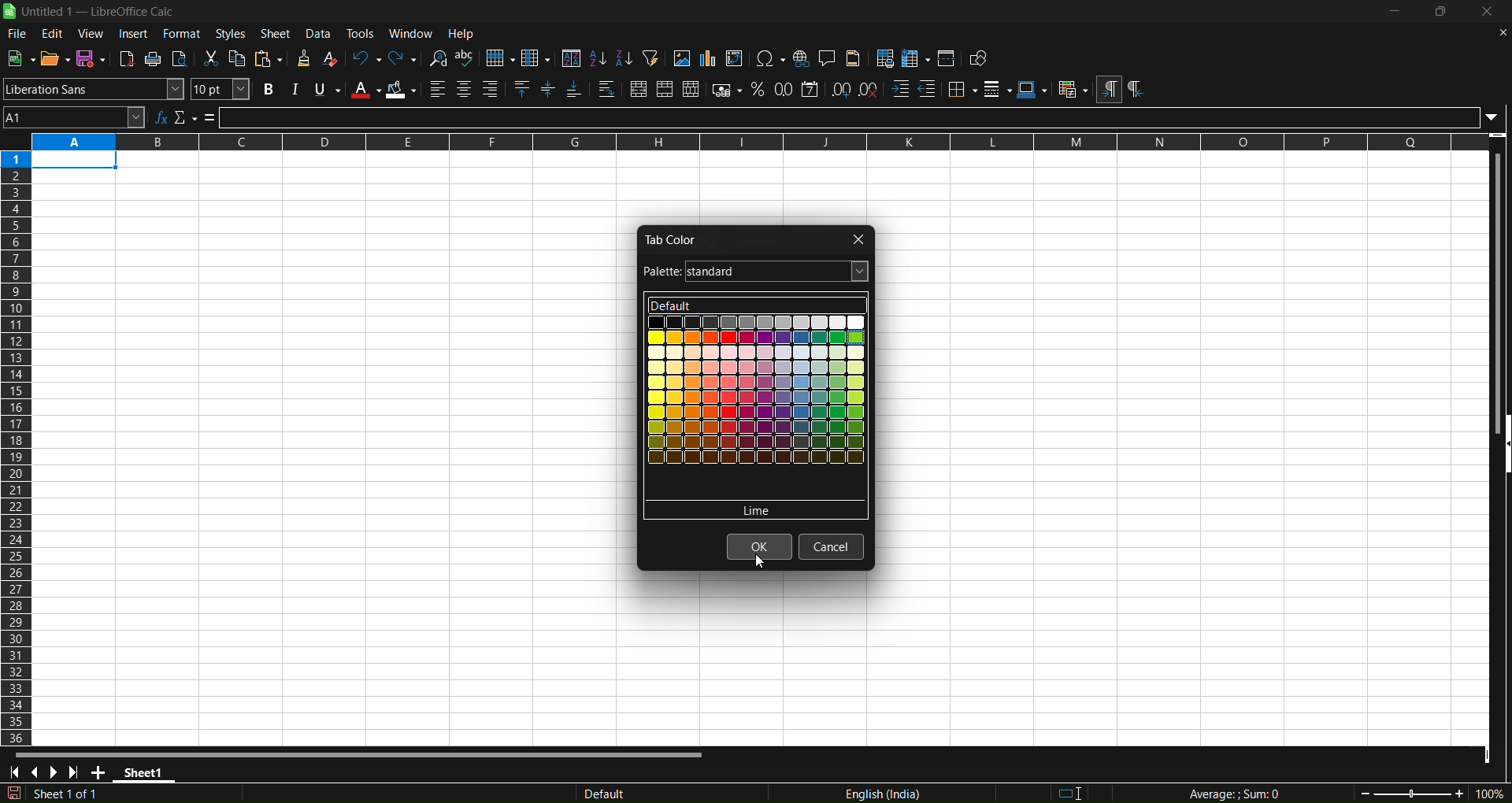 Image resolution: width=1512 pixels, height=803 pixels. I want to click on view, so click(93, 33).